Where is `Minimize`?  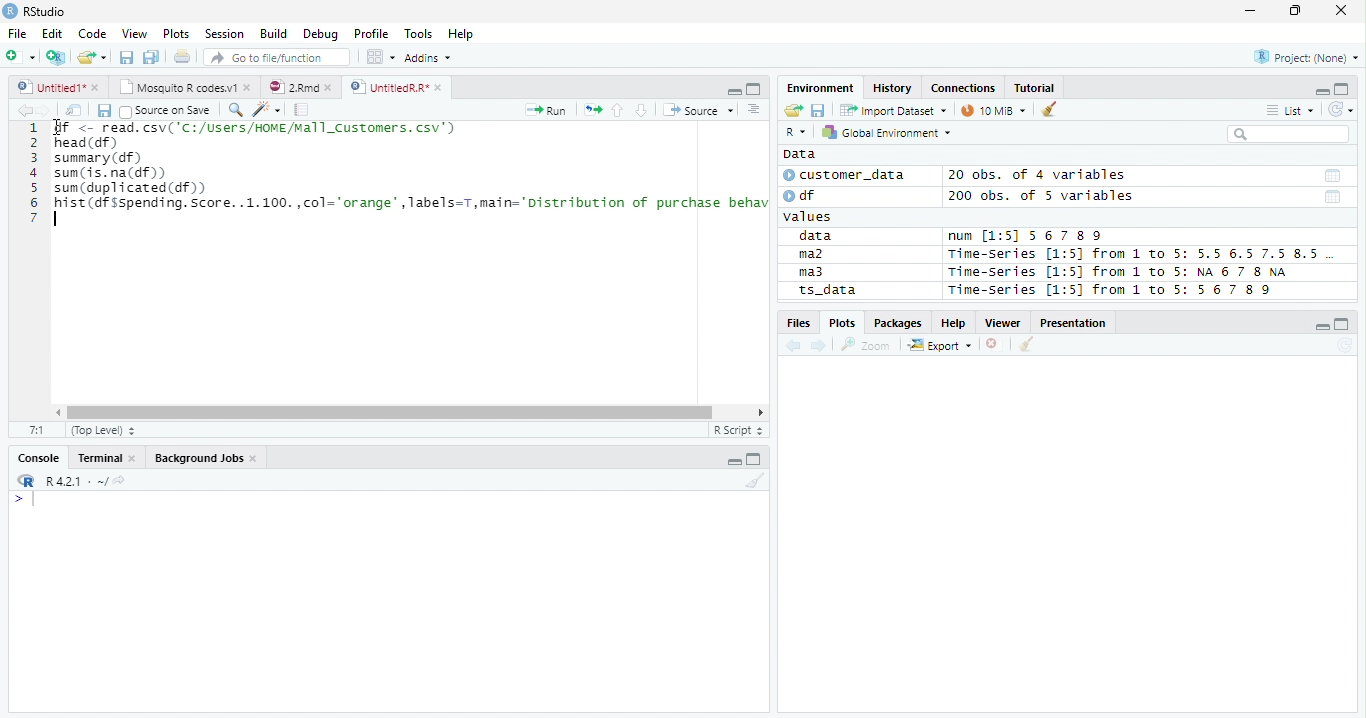
Minimize is located at coordinates (1249, 13).